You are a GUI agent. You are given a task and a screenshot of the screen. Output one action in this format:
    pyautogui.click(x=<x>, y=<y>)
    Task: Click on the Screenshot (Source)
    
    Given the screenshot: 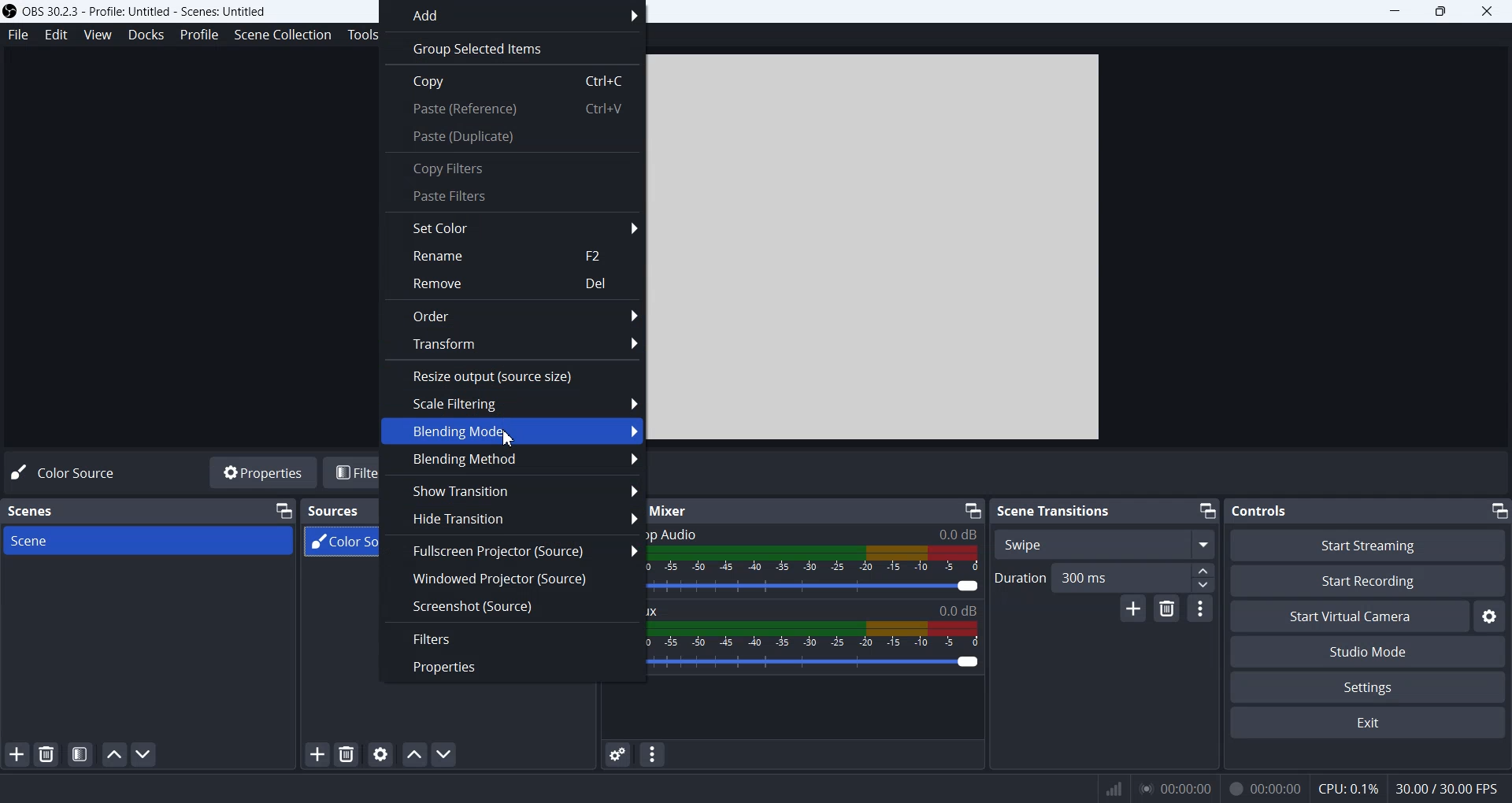 What is the action you would take?
    pyautogui.click(x=513, y=606)
    